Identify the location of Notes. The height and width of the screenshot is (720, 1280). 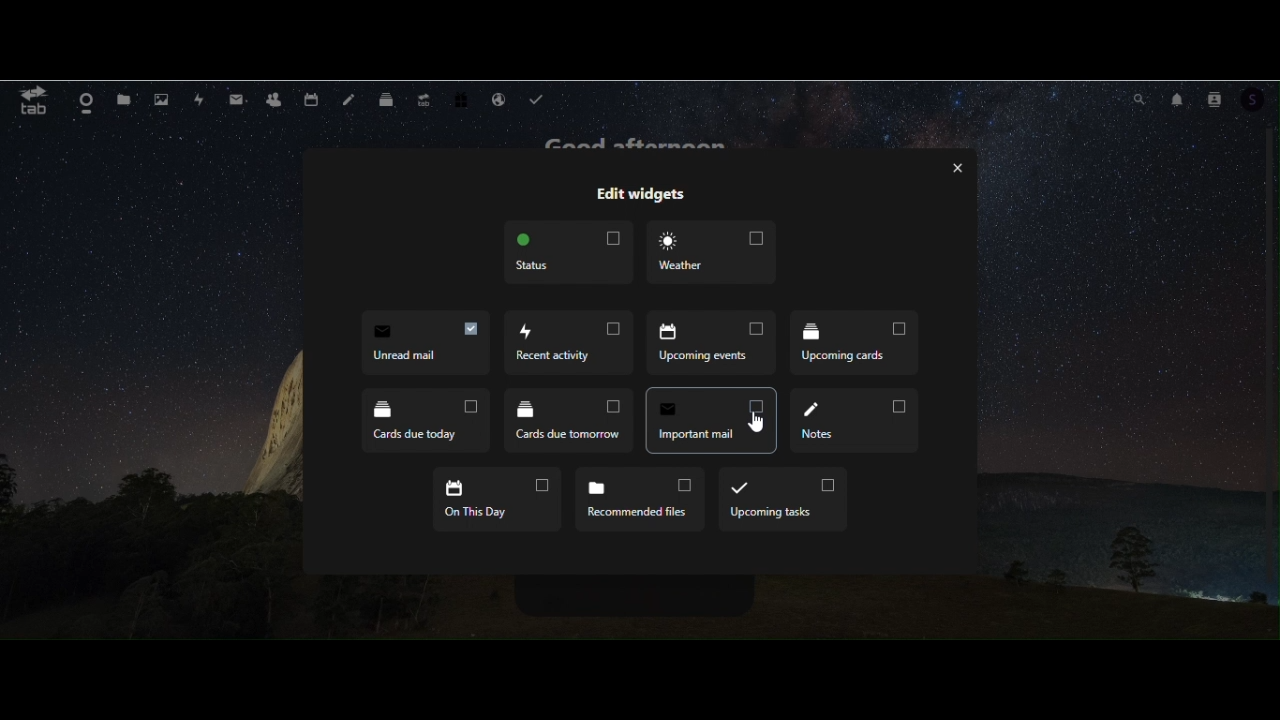
(857, 419).